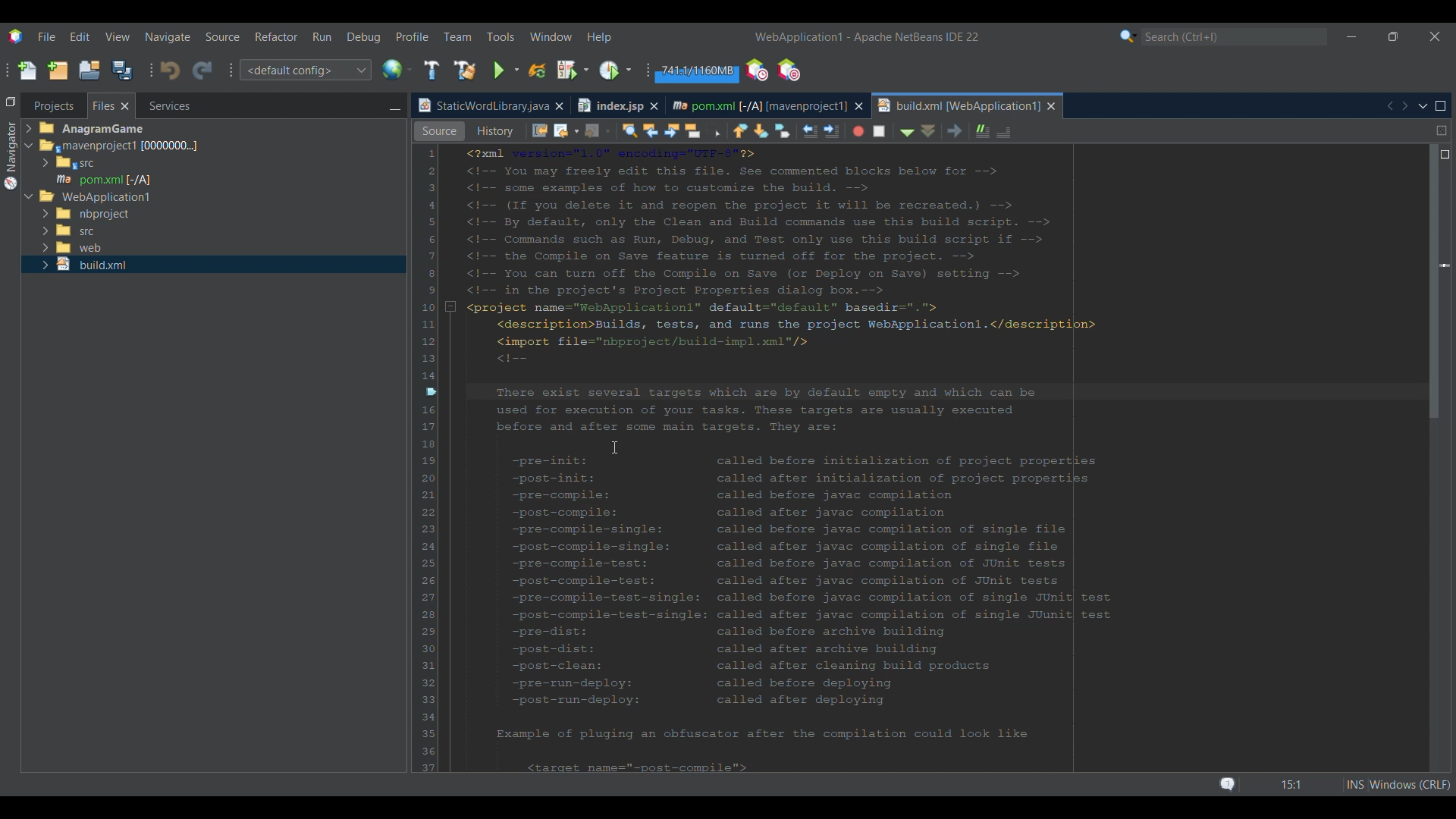  What do you see at coordinates (31, 165) in the screenshot?
I see `Expand` at bounding box center [31, 165].